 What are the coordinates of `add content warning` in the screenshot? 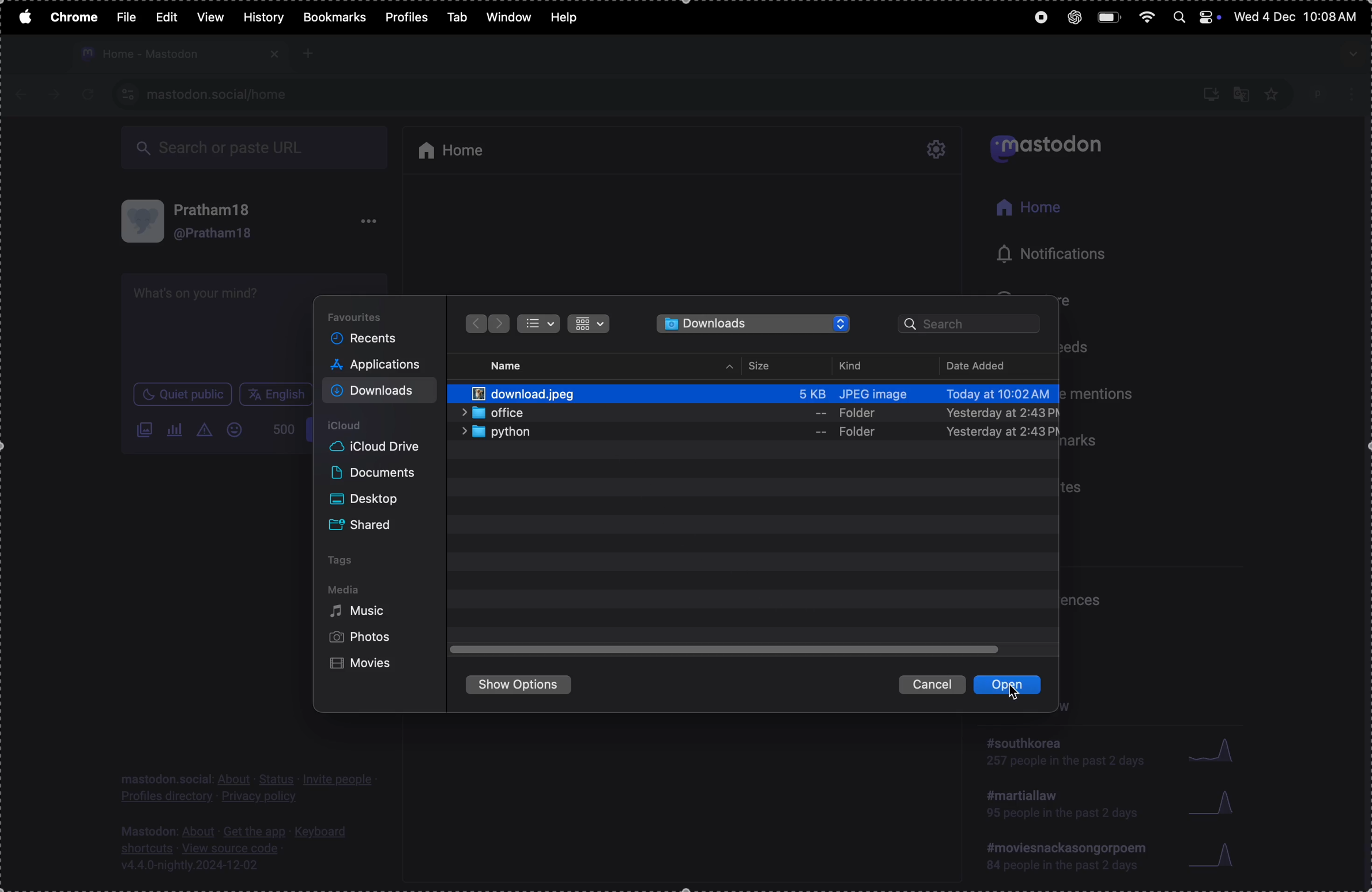 It's located at (207, 432).